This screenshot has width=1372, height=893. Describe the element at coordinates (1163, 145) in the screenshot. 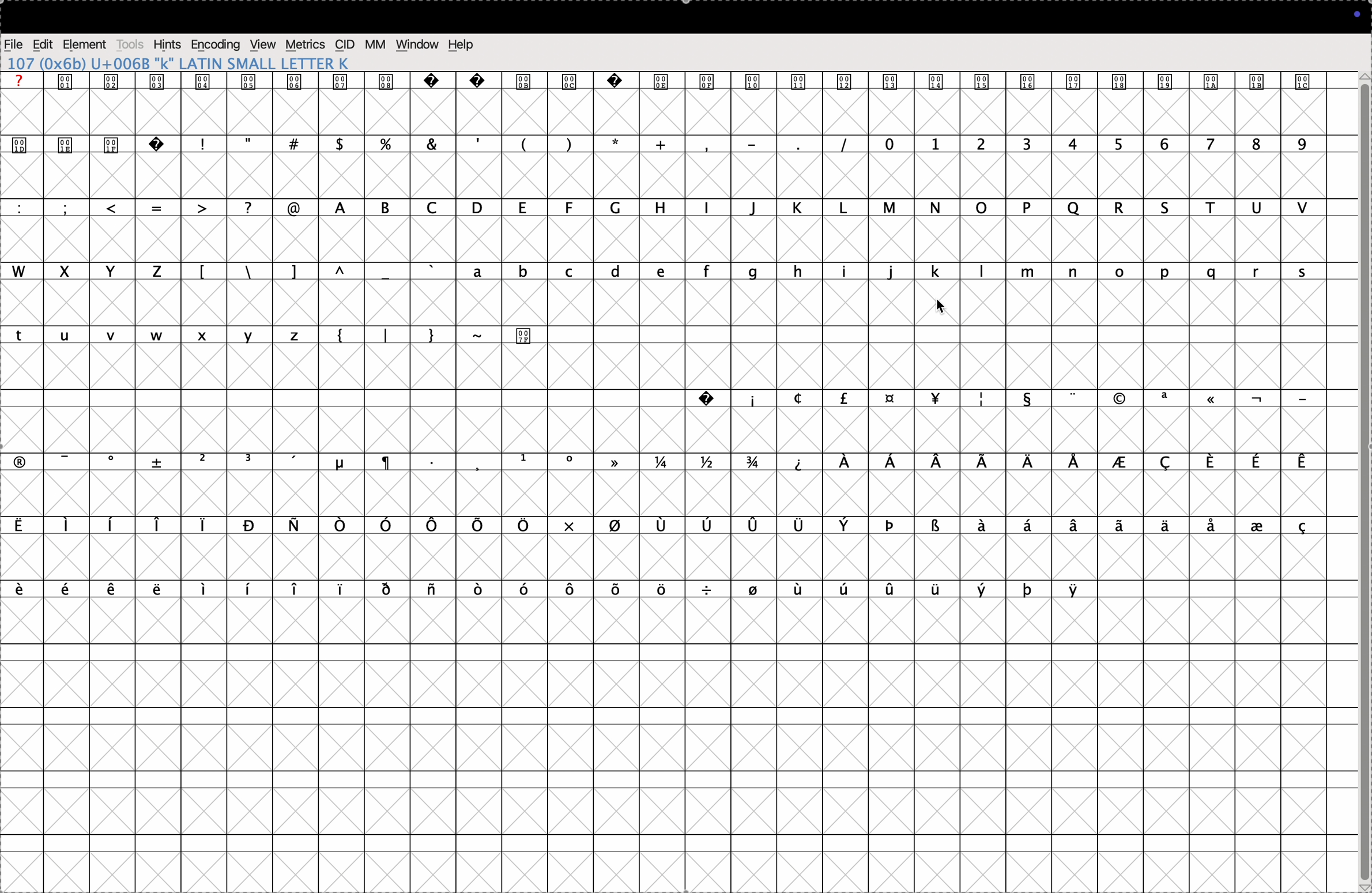

I see `6` at that location.